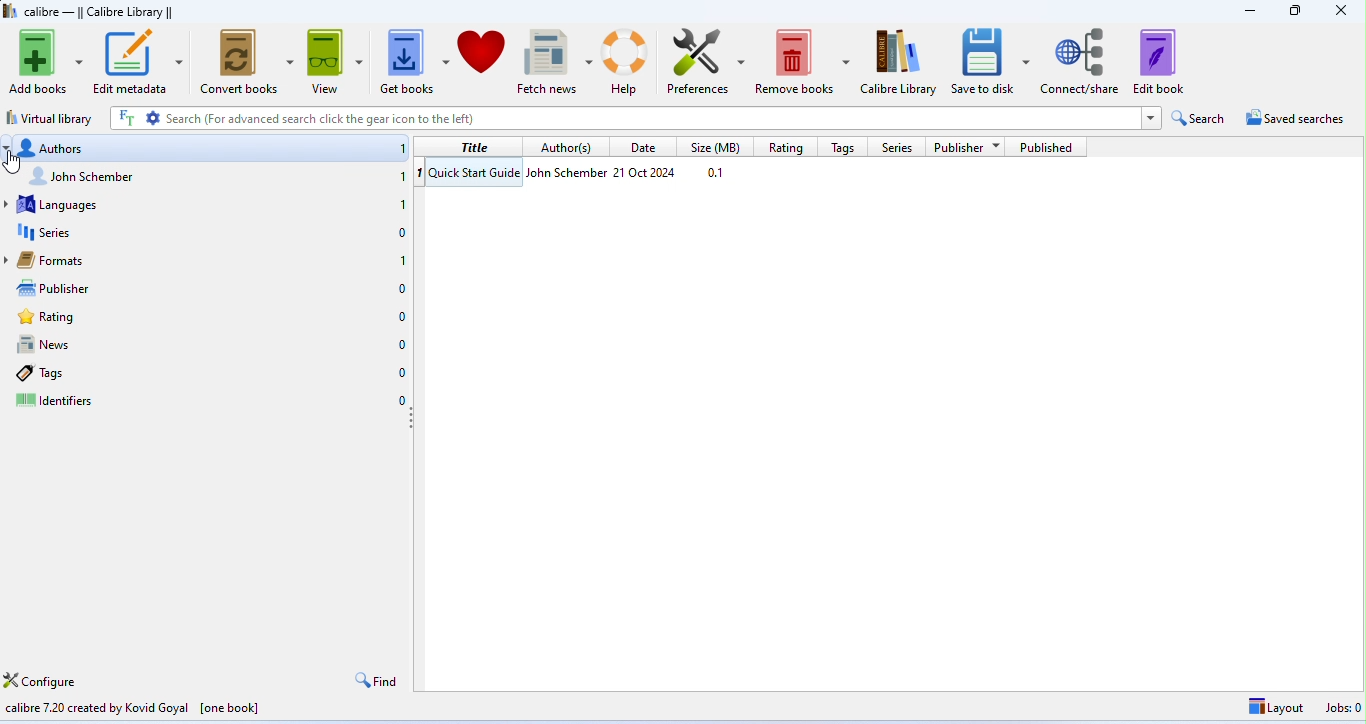 The width and height of the screenshot is (1366, 724). Describe the element at coordinates (849, 149) in the screenshot. I see `tags` at that location.